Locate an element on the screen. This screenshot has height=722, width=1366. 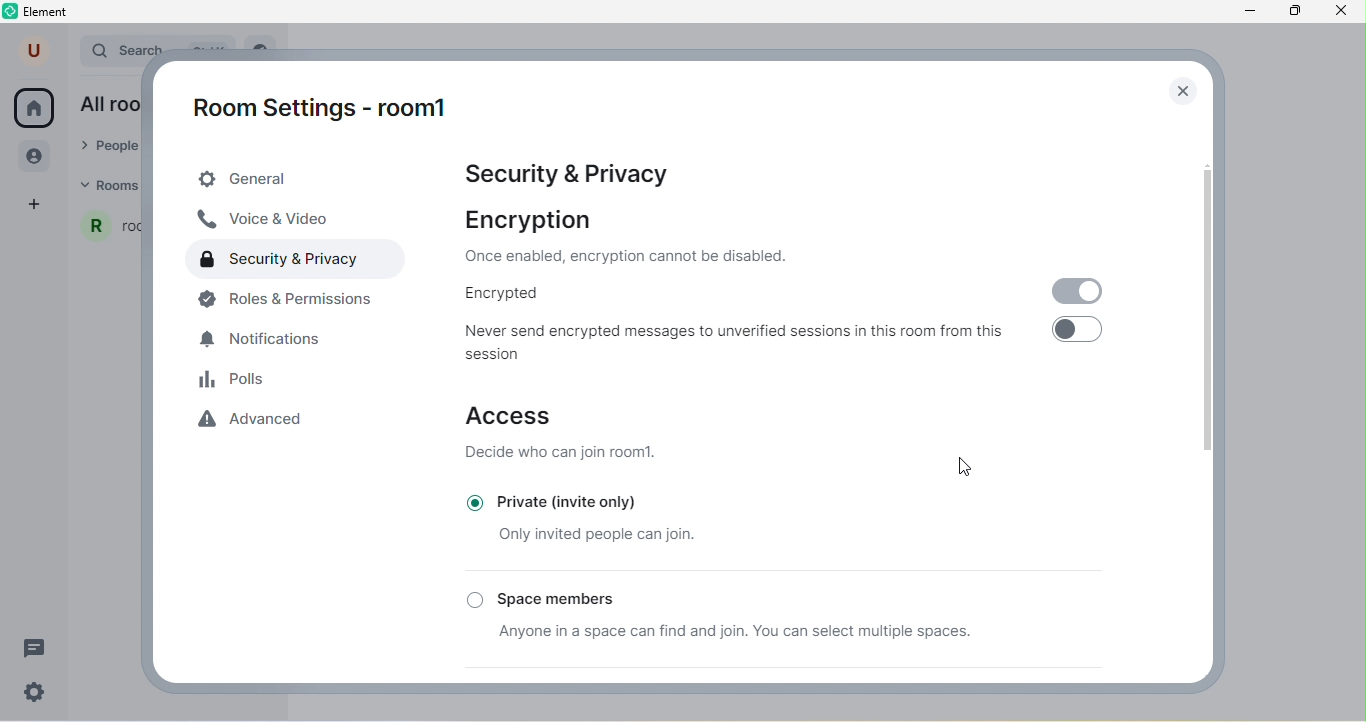
roles  and permissions is located at coordinates (298, 303).